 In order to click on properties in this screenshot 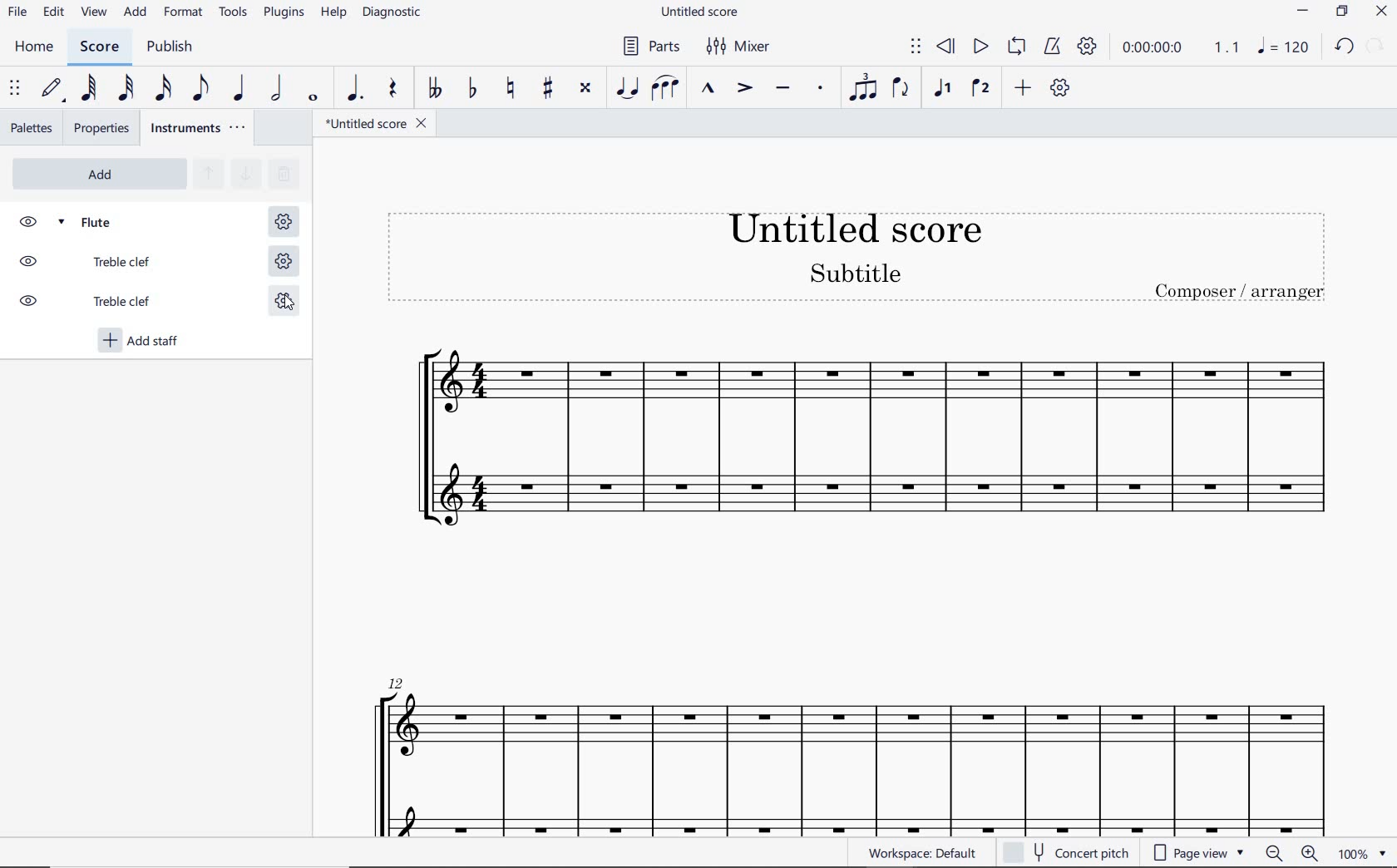, I will do `click(101, 128)`.